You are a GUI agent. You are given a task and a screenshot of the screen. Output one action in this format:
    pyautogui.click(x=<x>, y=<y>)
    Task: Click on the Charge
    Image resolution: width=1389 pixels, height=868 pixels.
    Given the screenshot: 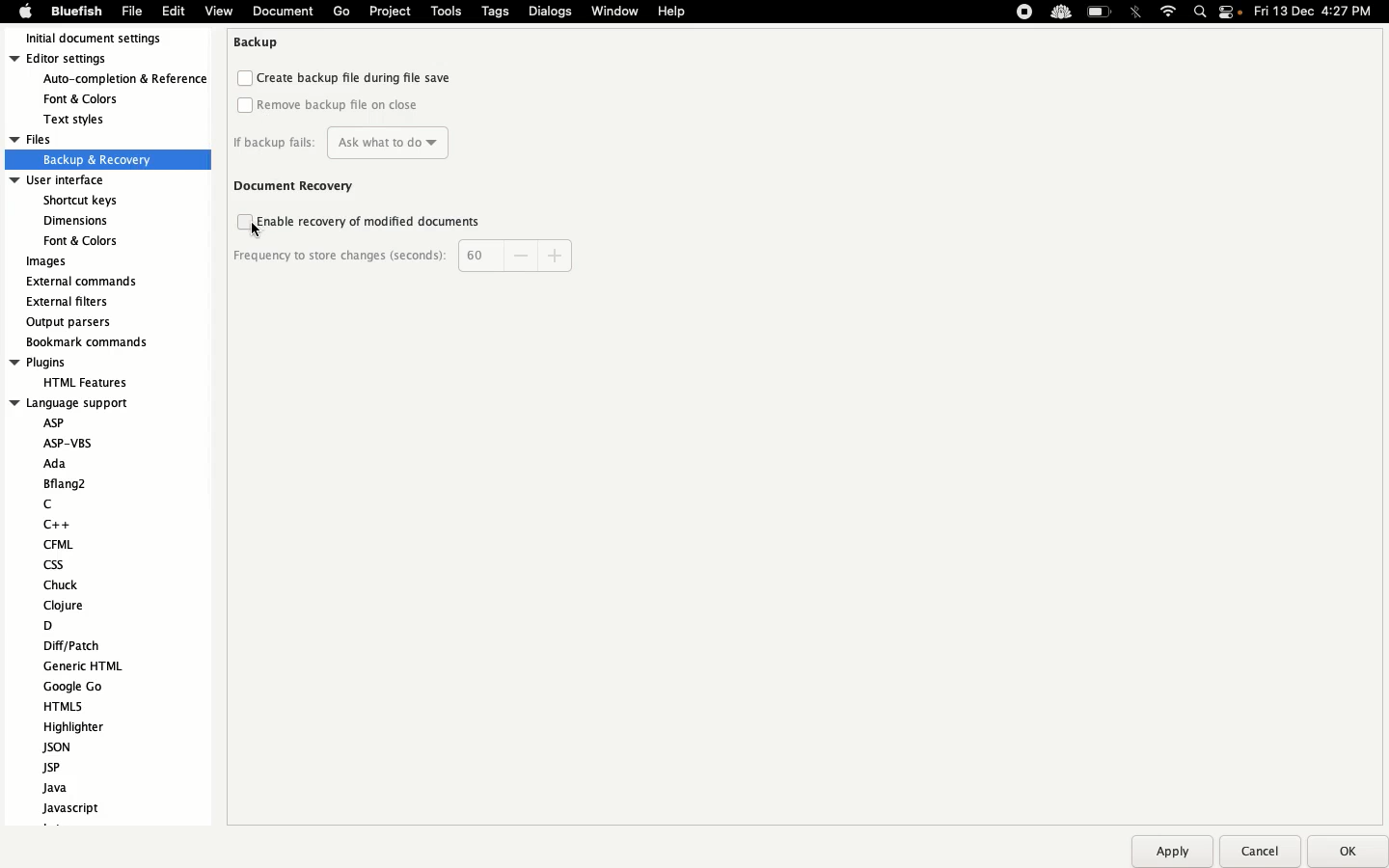 What is the action you would take?
    pyautogui.click(x=1101, y=12)
    